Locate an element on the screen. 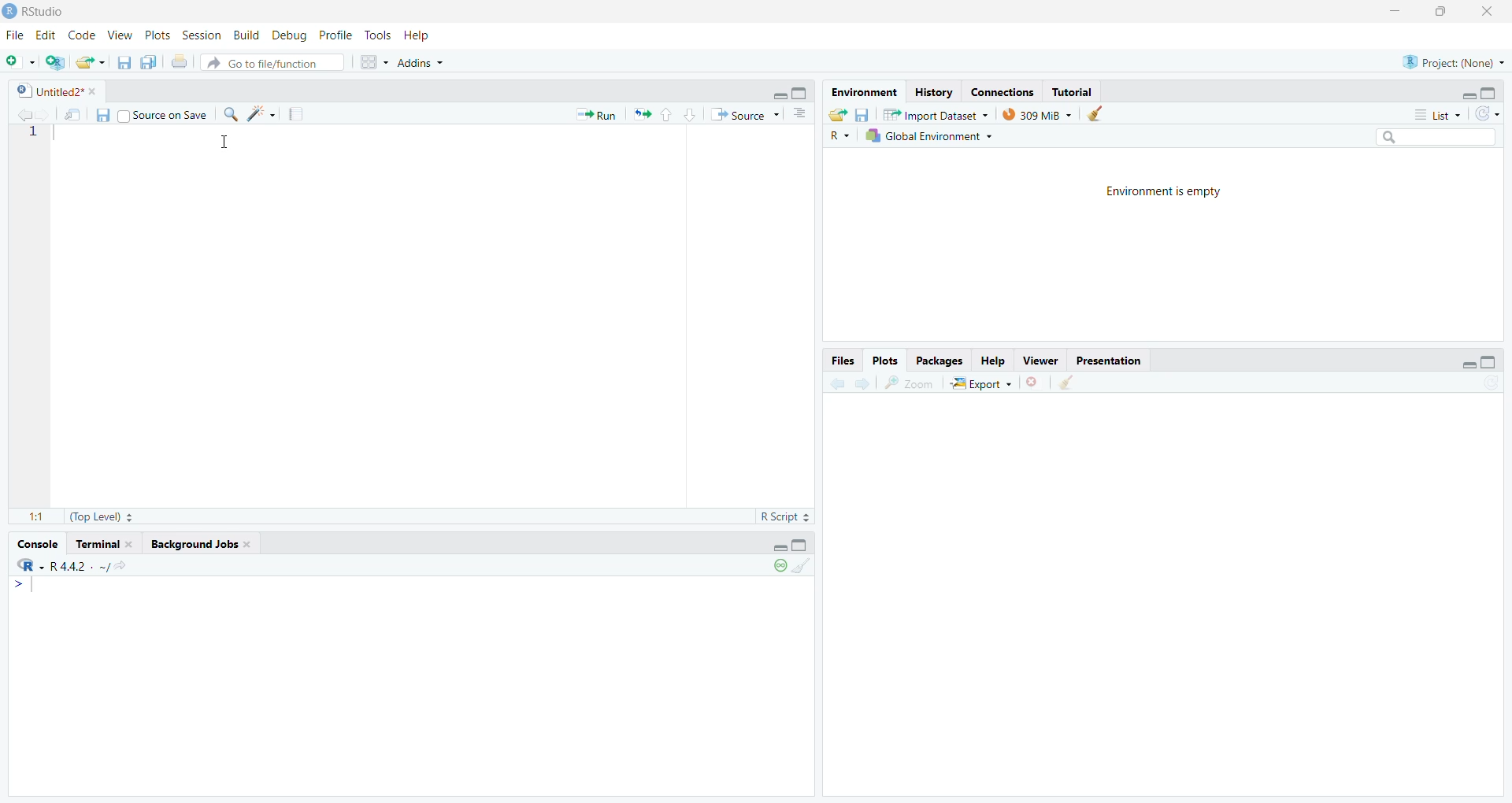 The height and width of the screenshot is (803, 1512). 1 is located at coordinates (41, 140).